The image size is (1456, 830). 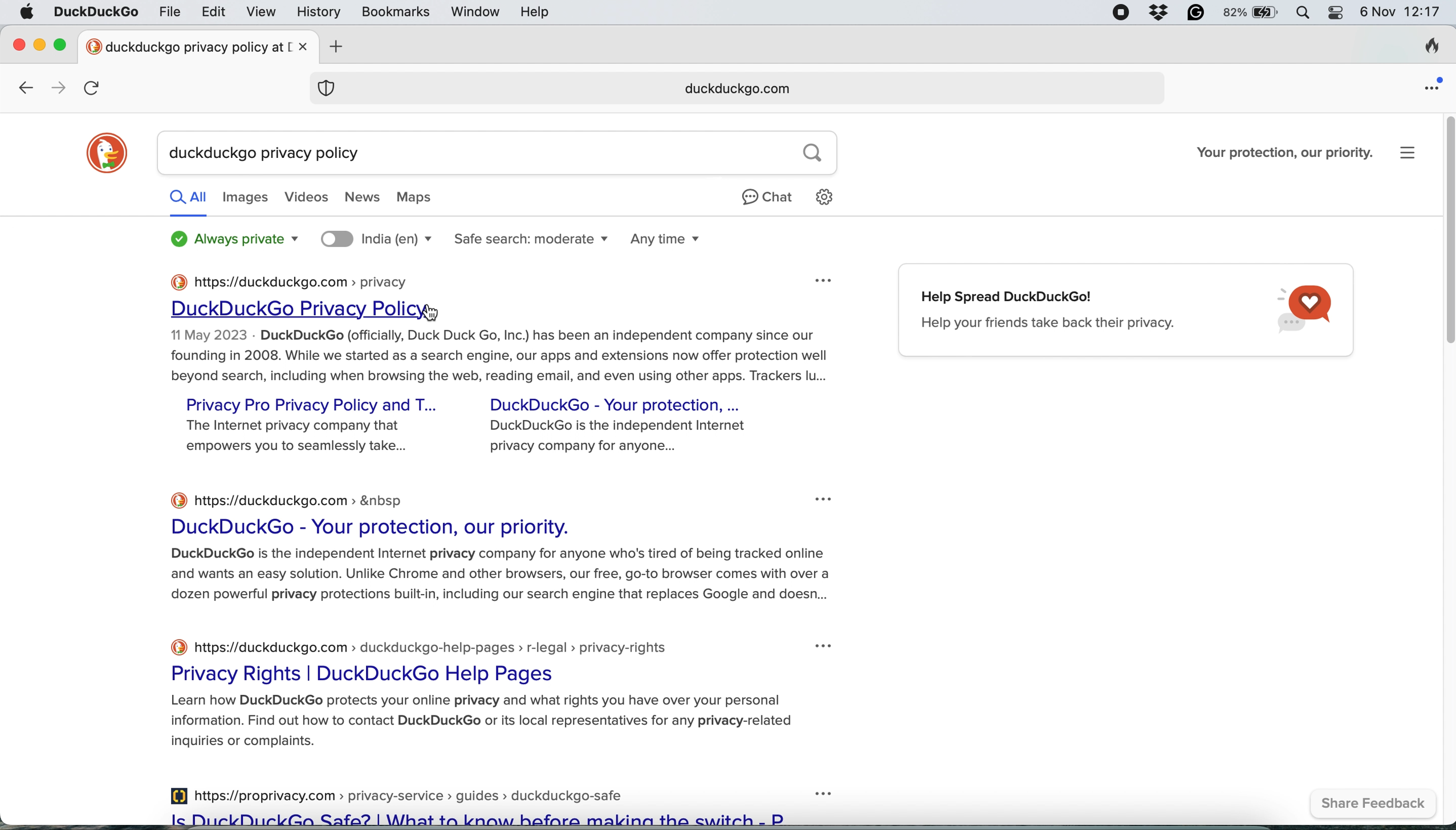 What do you see at coordinates (15, 45) in the screenshot?
I see `close` at bounding box center [15, 45].